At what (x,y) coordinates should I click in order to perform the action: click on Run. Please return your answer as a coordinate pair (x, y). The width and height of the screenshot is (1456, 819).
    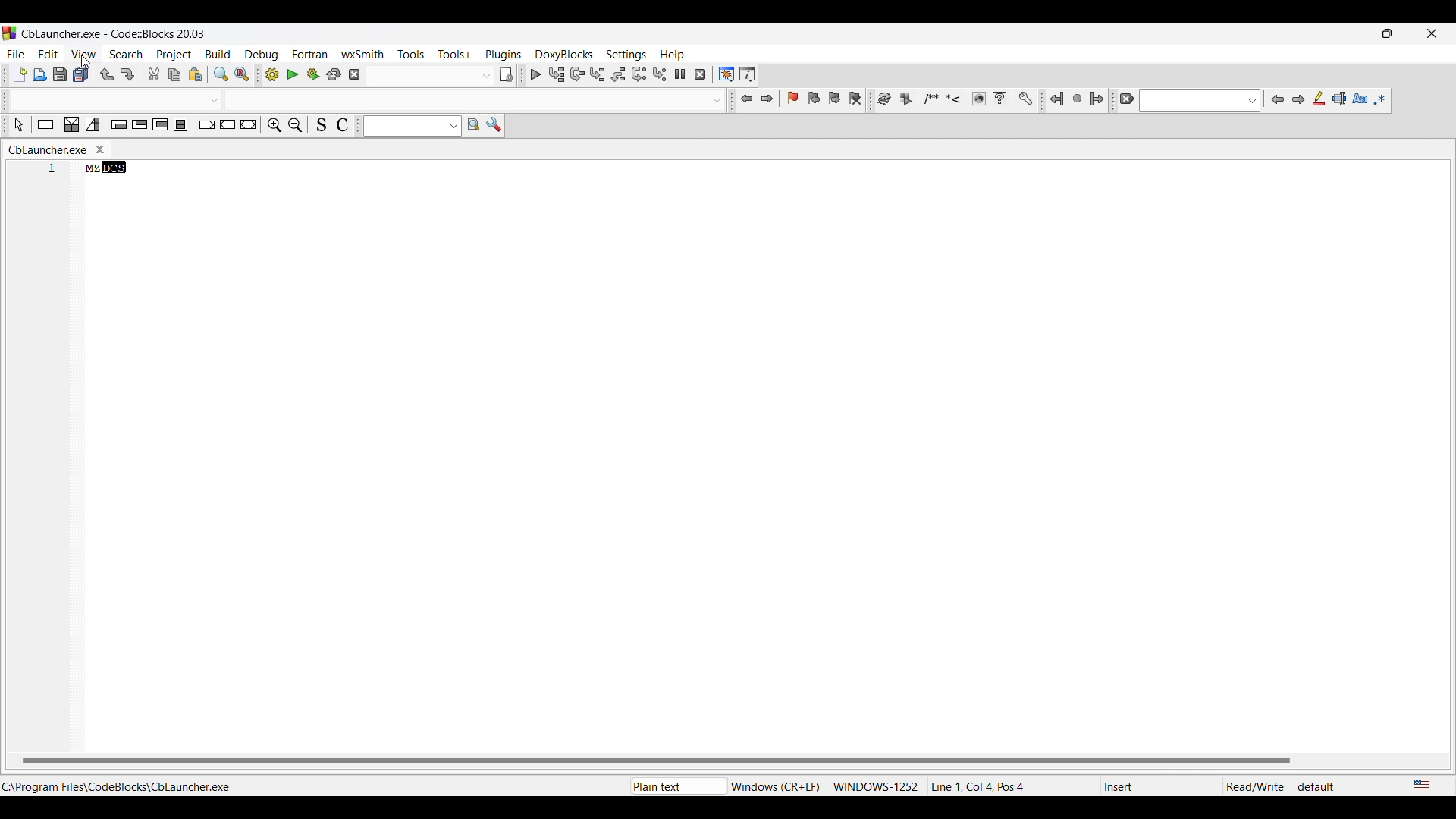
    Looking at the image, I should click on (293, 74).